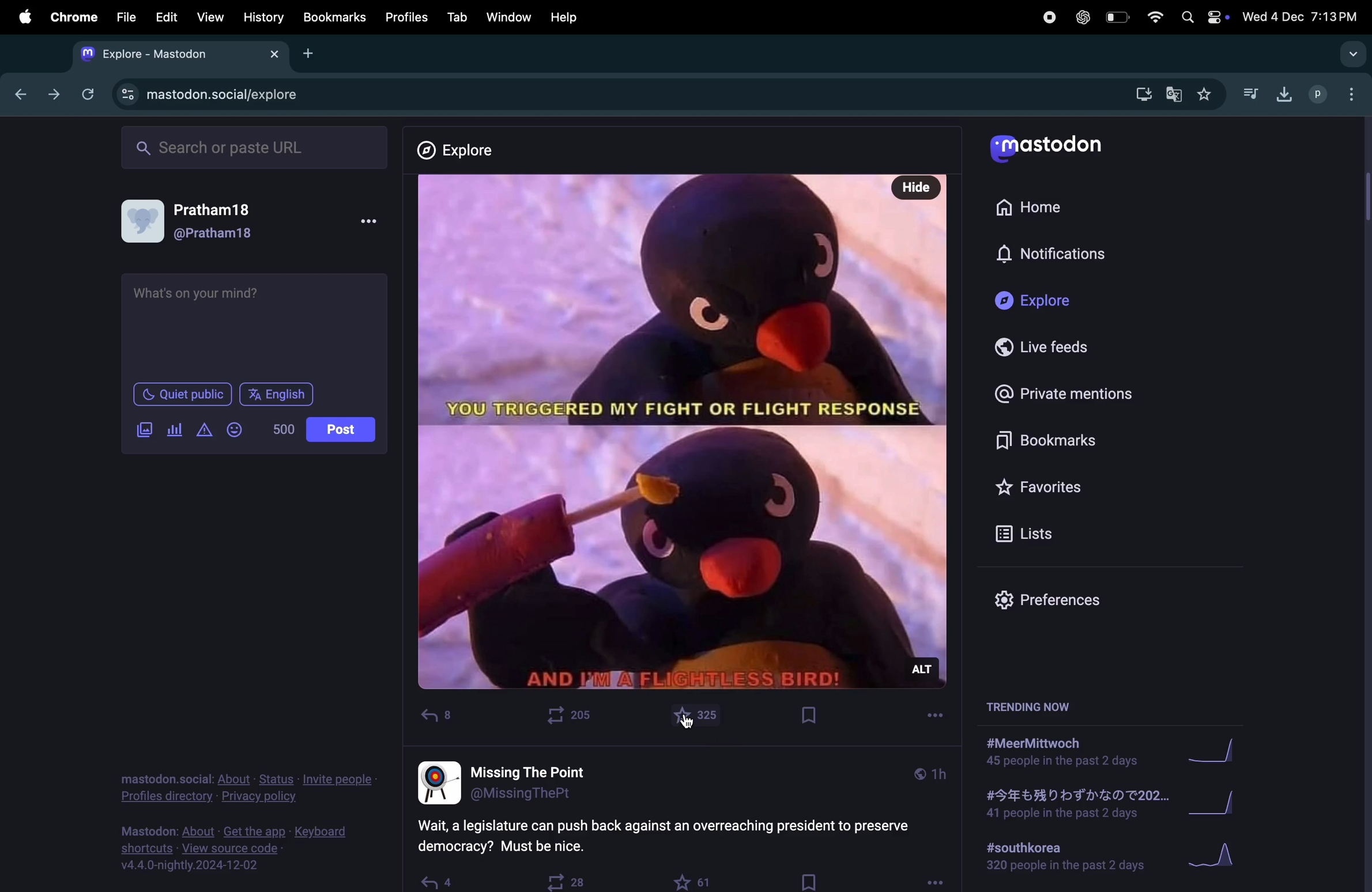 This screenshot has width=1372, height=892. Describe the element at coordinates (1154, 16) in the screenshot. I see `wifi` at that location.